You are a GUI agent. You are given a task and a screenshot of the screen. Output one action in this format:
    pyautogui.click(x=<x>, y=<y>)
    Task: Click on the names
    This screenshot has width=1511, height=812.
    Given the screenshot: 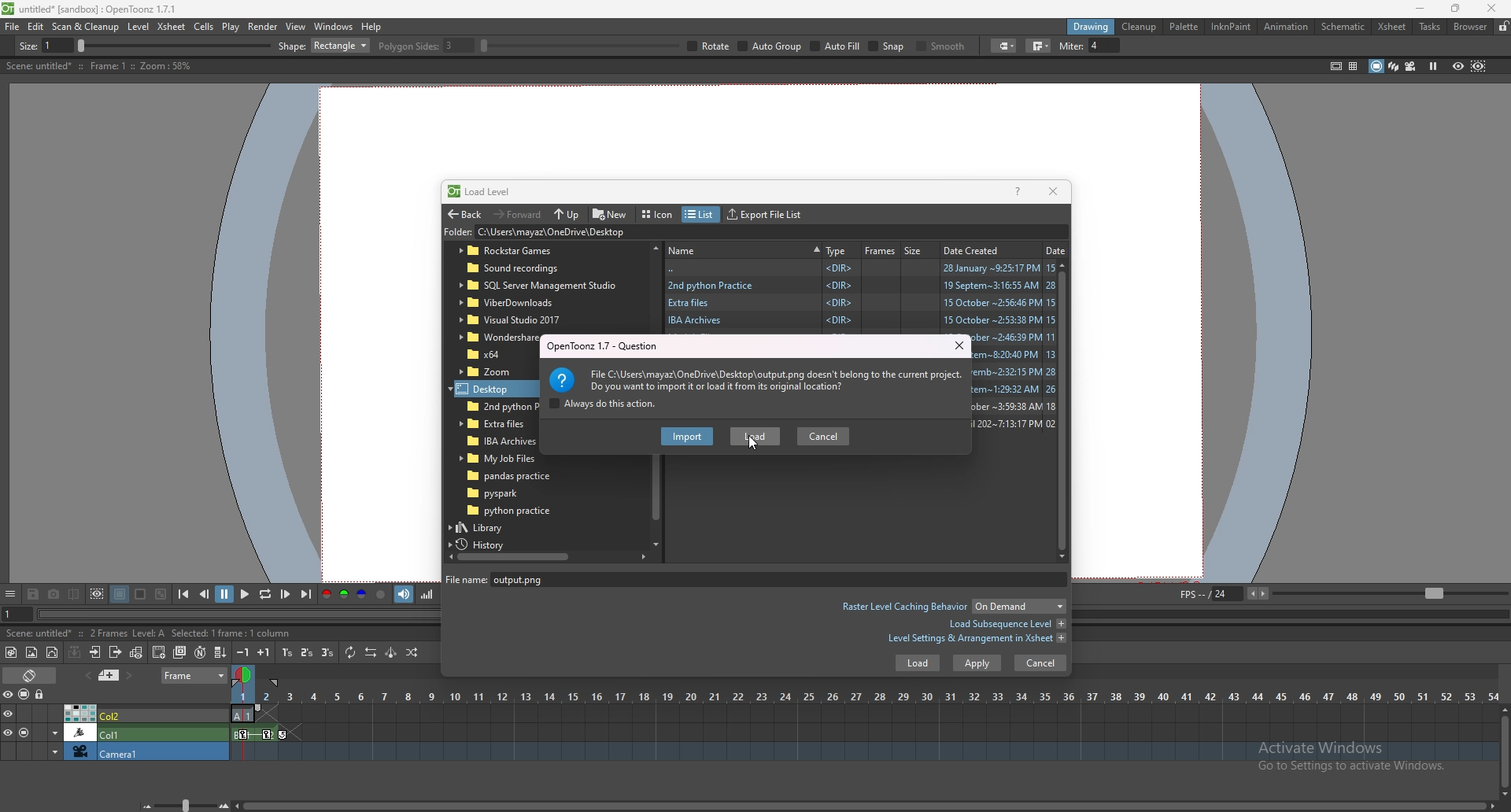 What is the action you would take?
    pyautogui.click(x=744, y=249)
    